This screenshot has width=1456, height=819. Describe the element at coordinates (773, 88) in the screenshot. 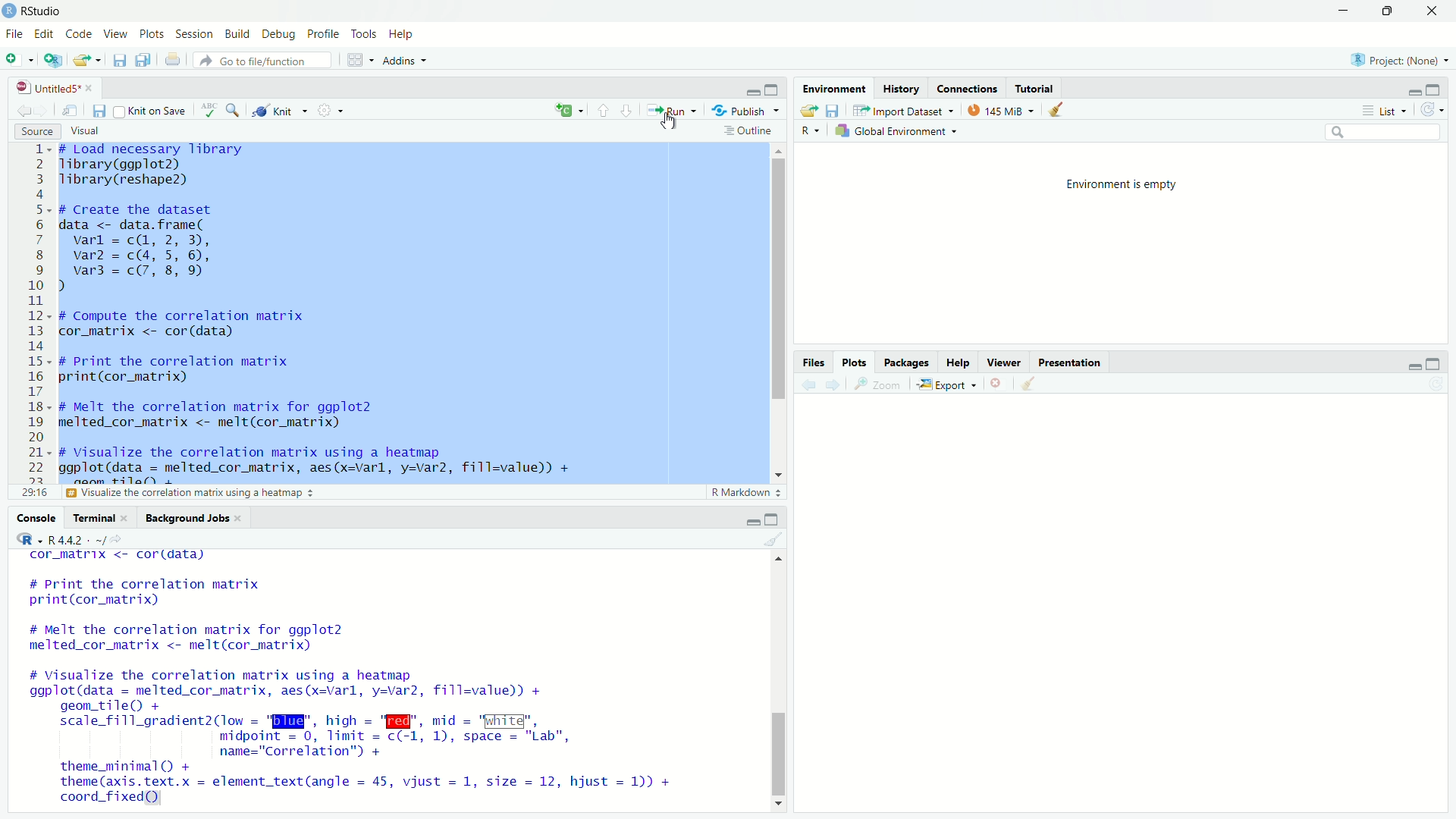

I see `maximize` at that location.